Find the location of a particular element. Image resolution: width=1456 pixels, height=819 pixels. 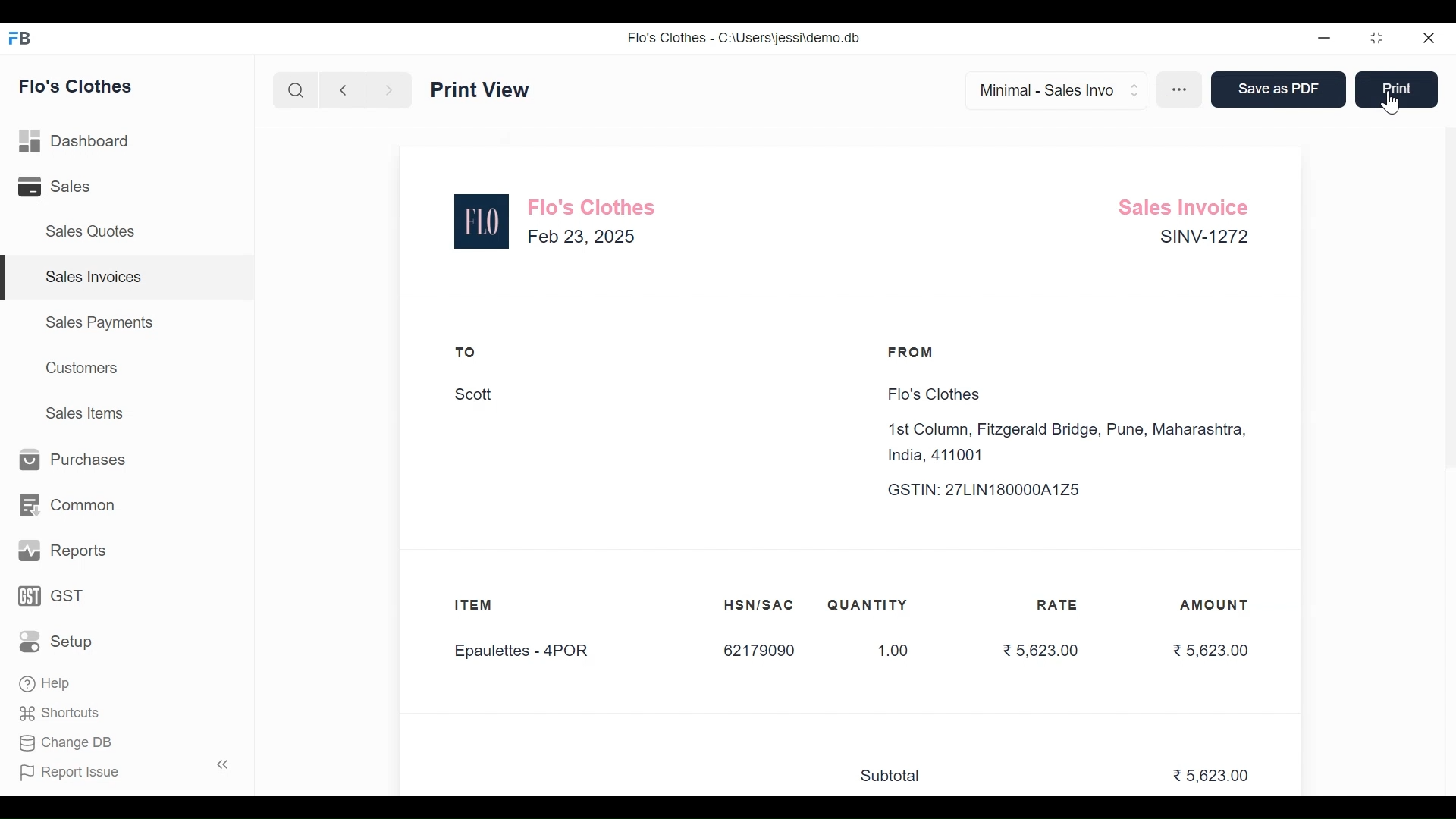

Feb 23, 2025 is located at coordinates (582, 236).